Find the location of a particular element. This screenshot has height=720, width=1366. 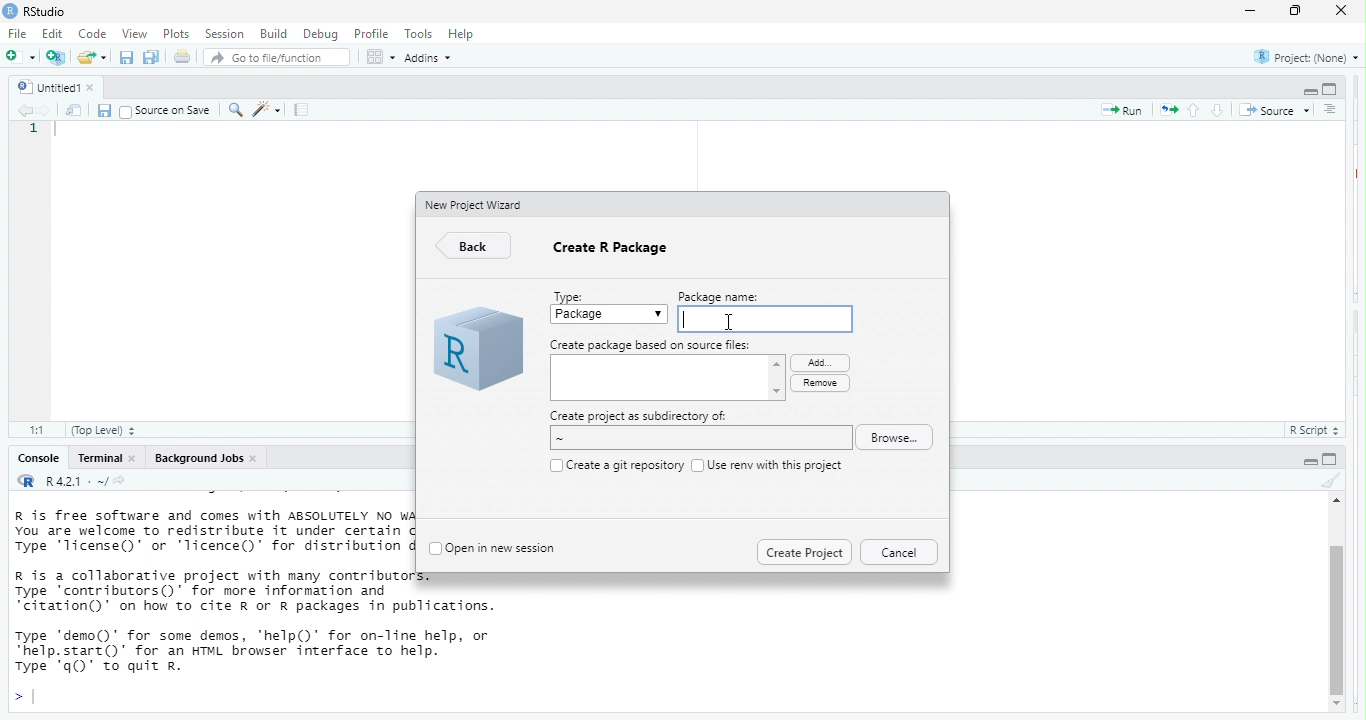

close is located at coordinates (137, 459).